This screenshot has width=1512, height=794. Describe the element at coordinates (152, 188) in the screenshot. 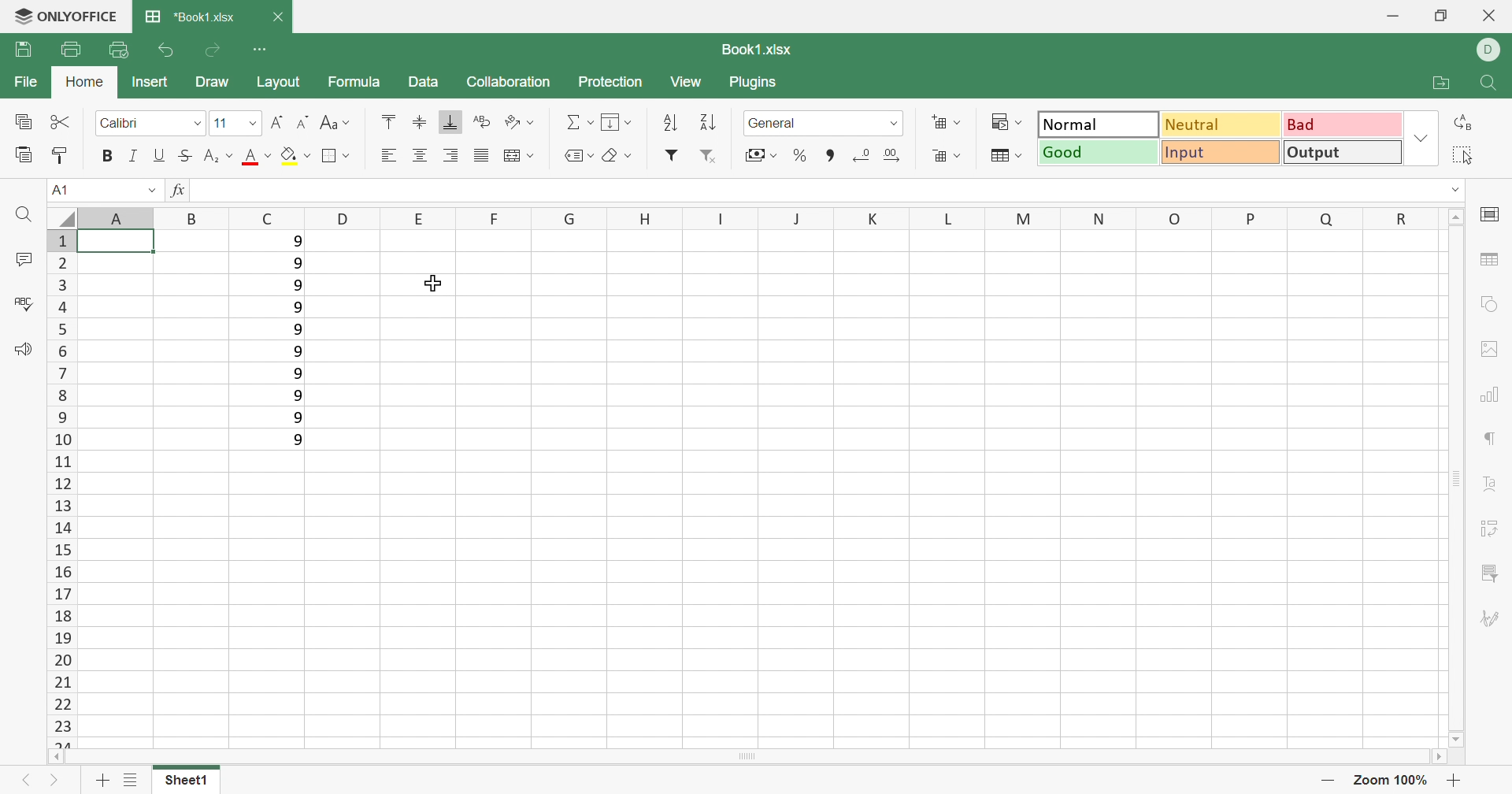

I see `Drop Down` at that location.